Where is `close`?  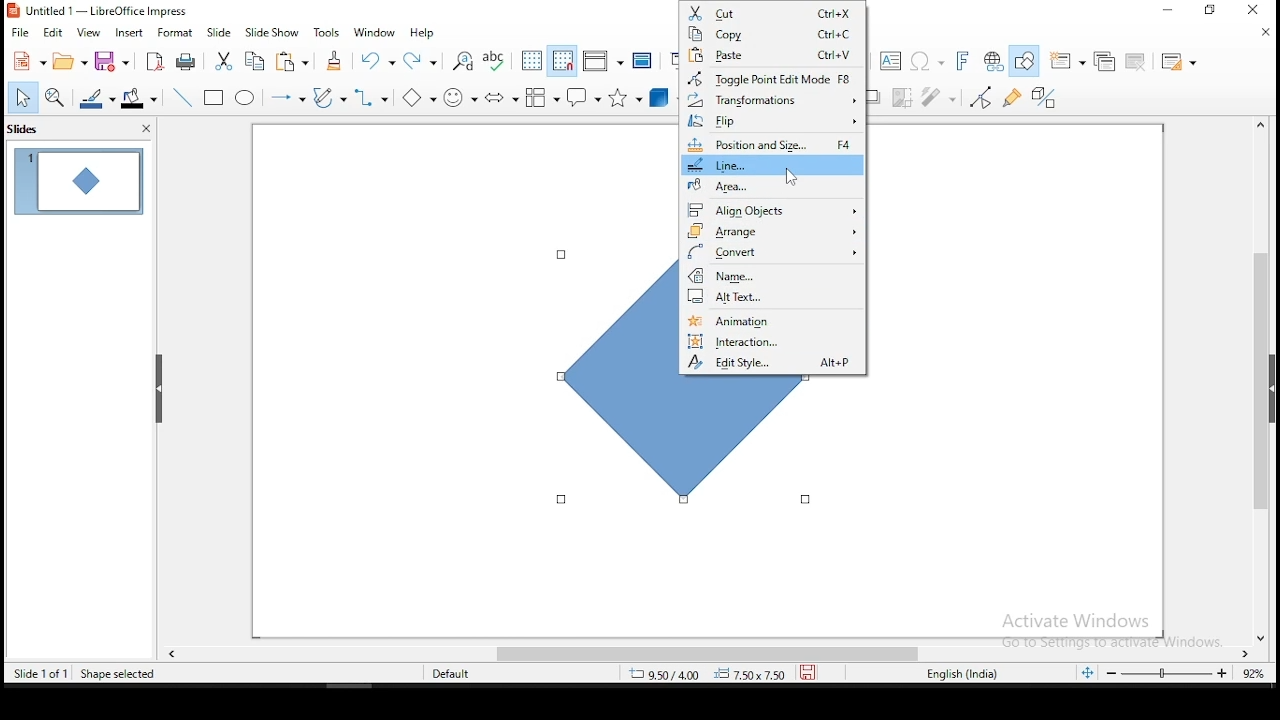 close is located at coordinates (1265, 633).